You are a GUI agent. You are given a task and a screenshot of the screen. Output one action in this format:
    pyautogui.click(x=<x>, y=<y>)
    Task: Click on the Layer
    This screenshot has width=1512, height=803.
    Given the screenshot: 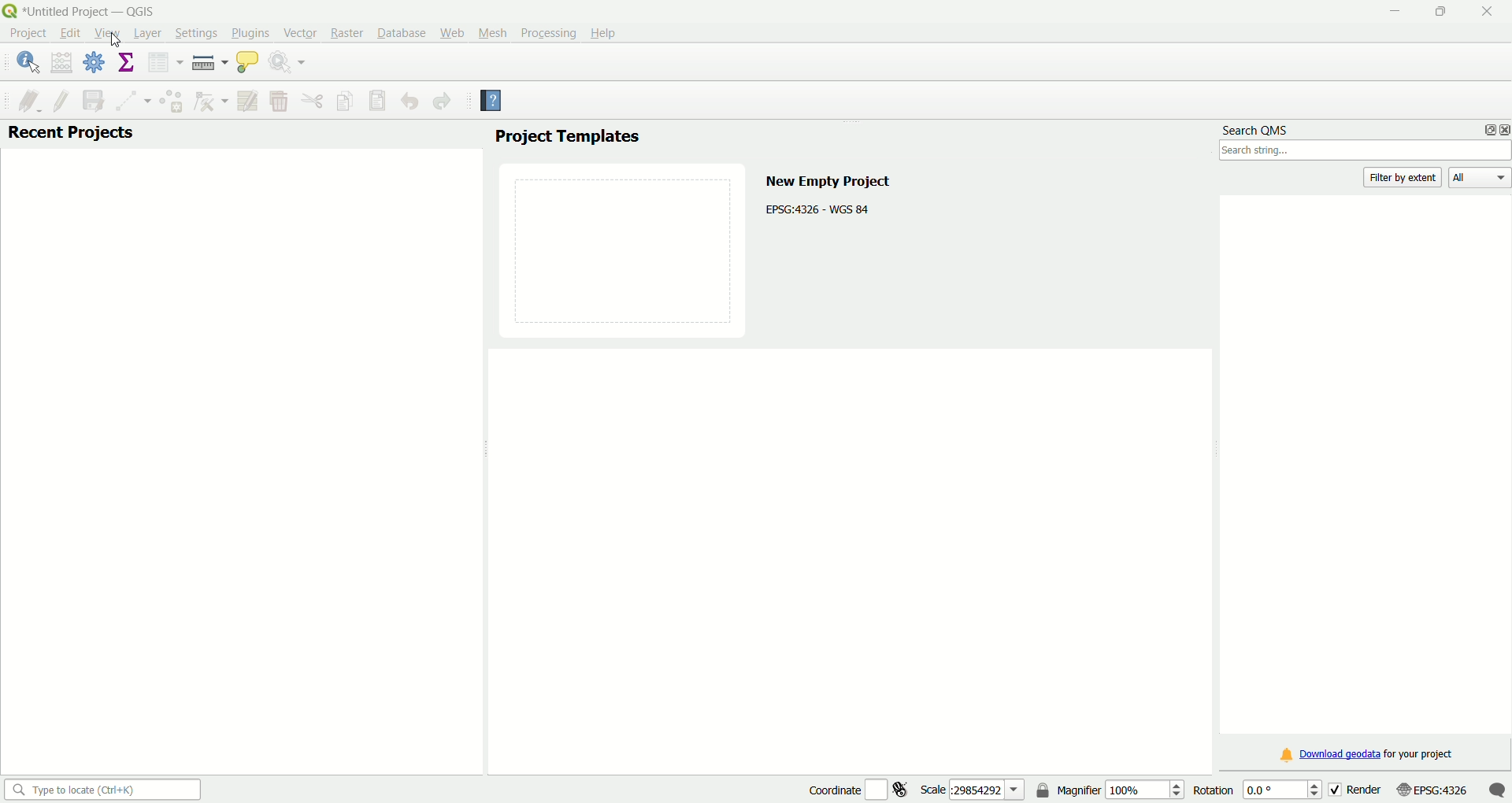 What is the action you would take?
    pyautogui.click(x=146, y=34)
    